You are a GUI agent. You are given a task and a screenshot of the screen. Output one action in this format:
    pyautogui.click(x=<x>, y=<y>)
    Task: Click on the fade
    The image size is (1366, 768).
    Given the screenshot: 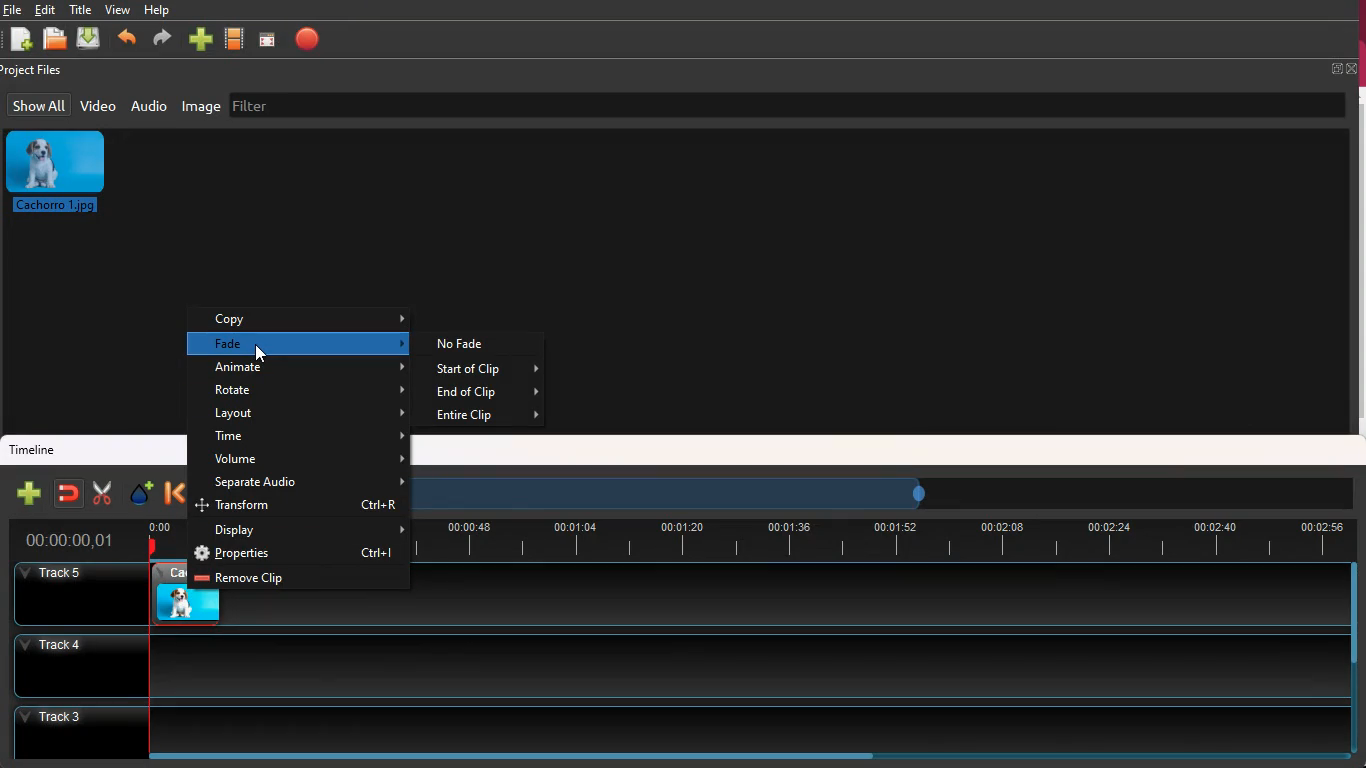 What is the action you would take?
    pyautogui.click(x=309, y=343)
    